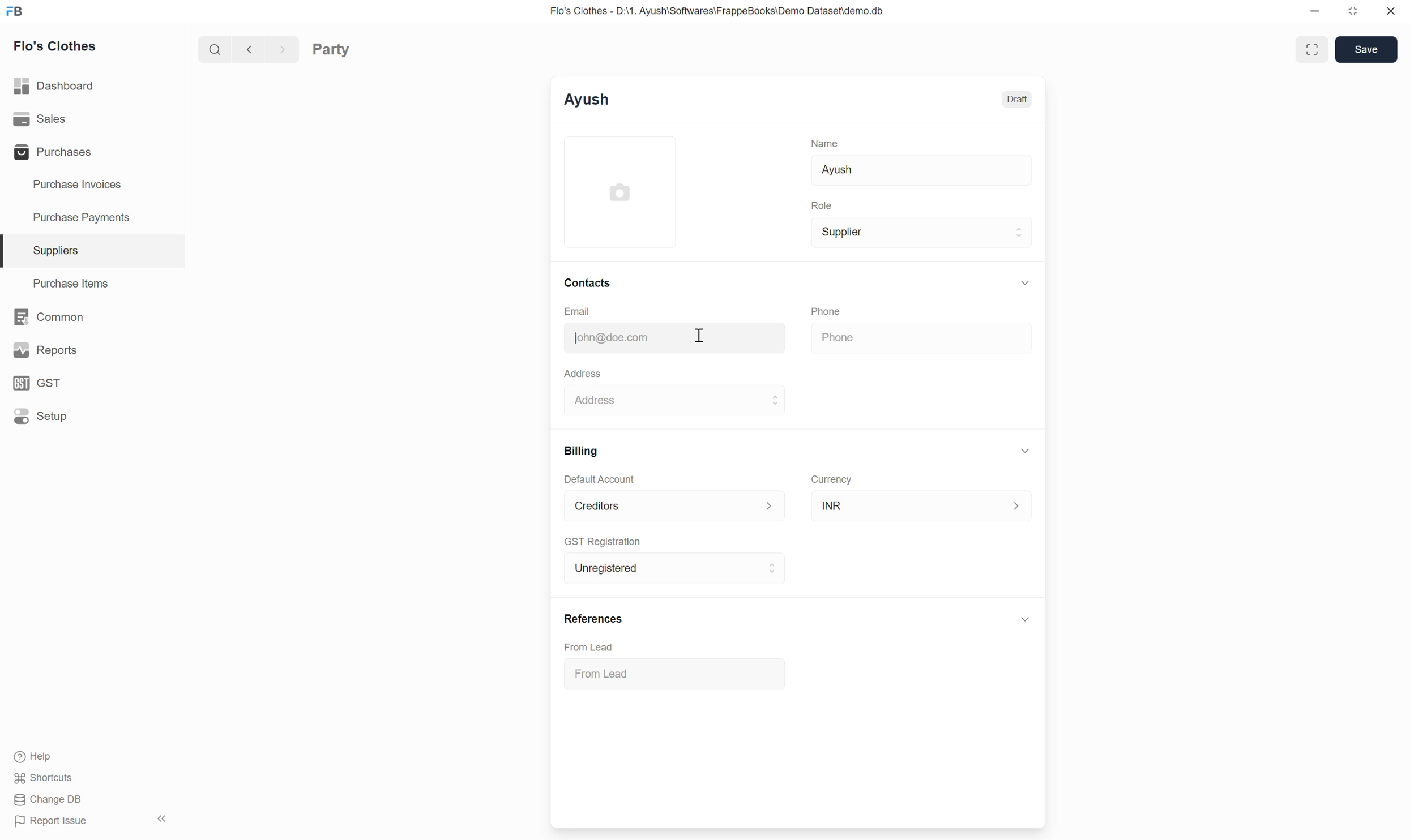 The width and height of the screenshot is (1410, 840). I want to click on Contacts, so click(588, 283).